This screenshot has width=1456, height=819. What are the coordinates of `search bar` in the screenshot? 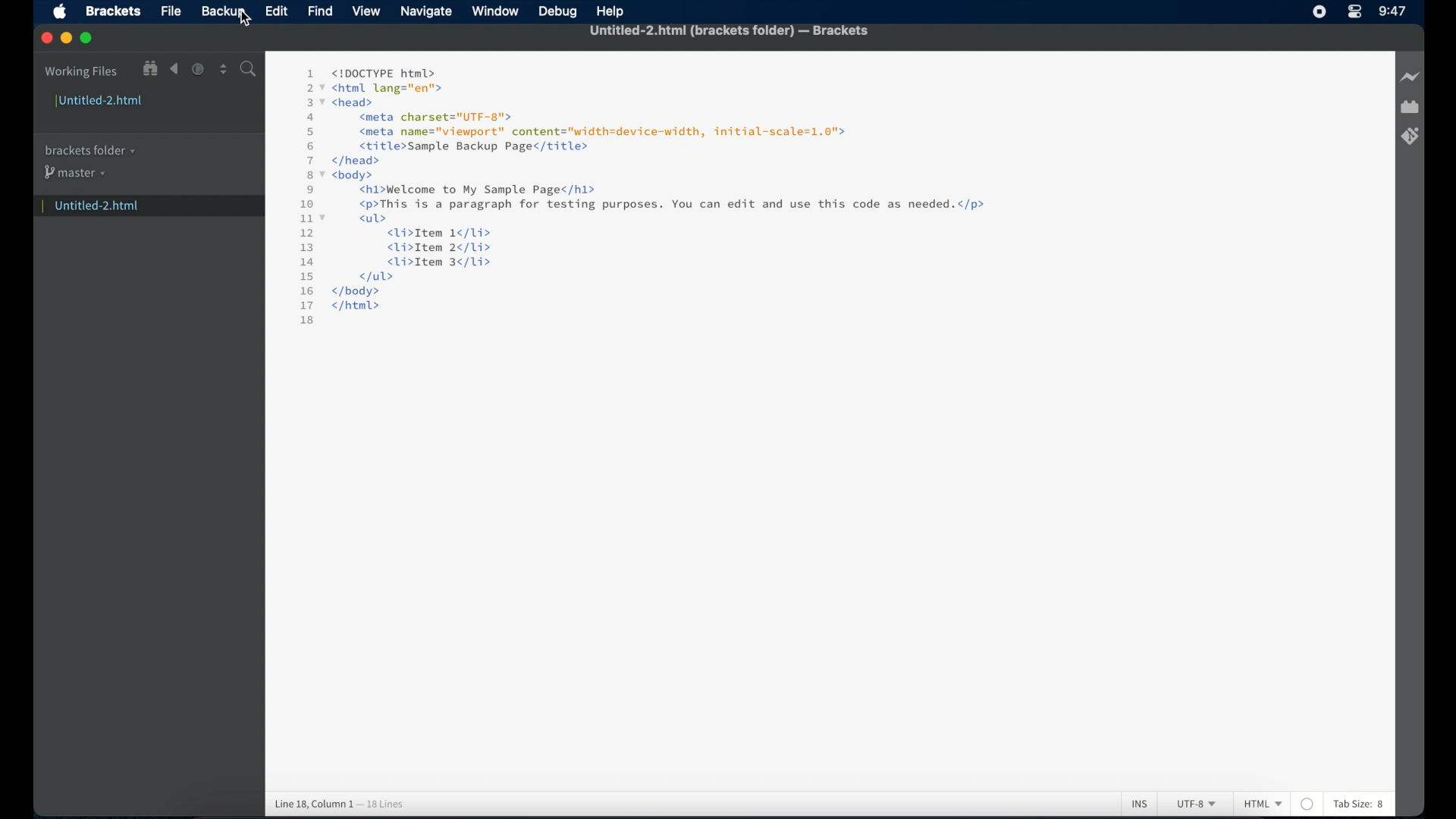 It's located at (249, 70).